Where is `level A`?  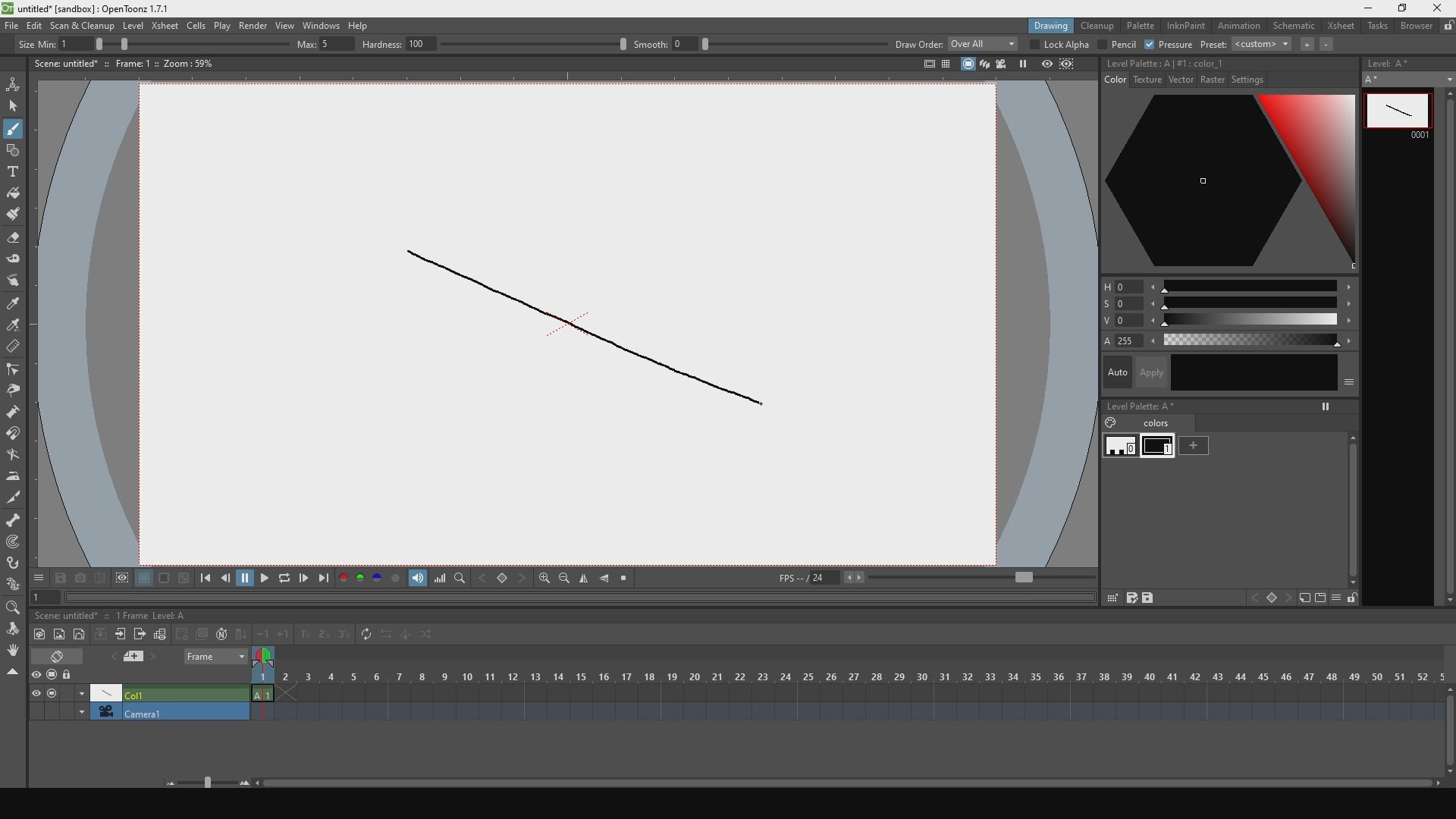 level A is located at coordinates (1407, 63).